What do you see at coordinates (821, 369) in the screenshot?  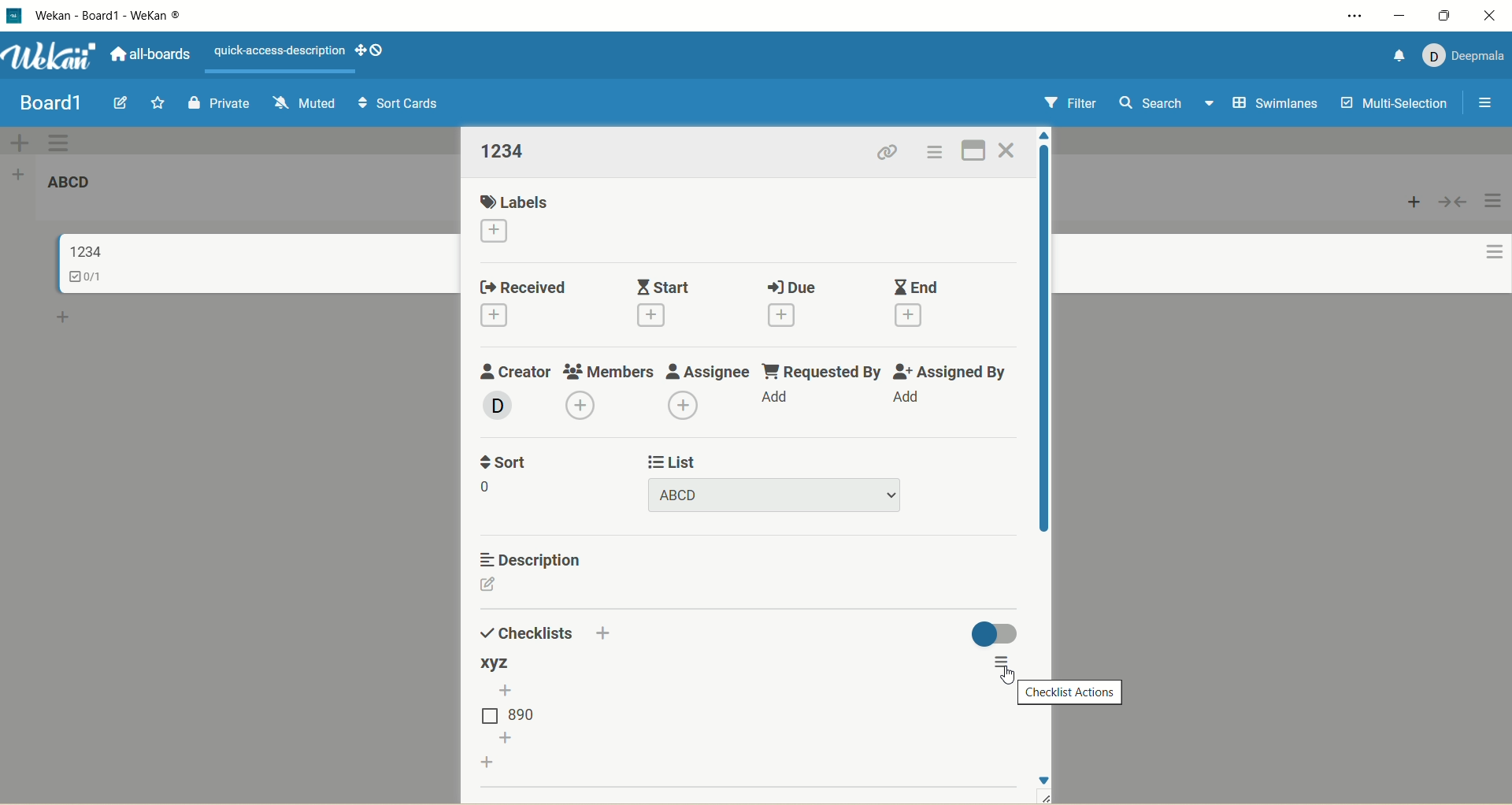 I see `requested by` at bounding box center [821, 369].